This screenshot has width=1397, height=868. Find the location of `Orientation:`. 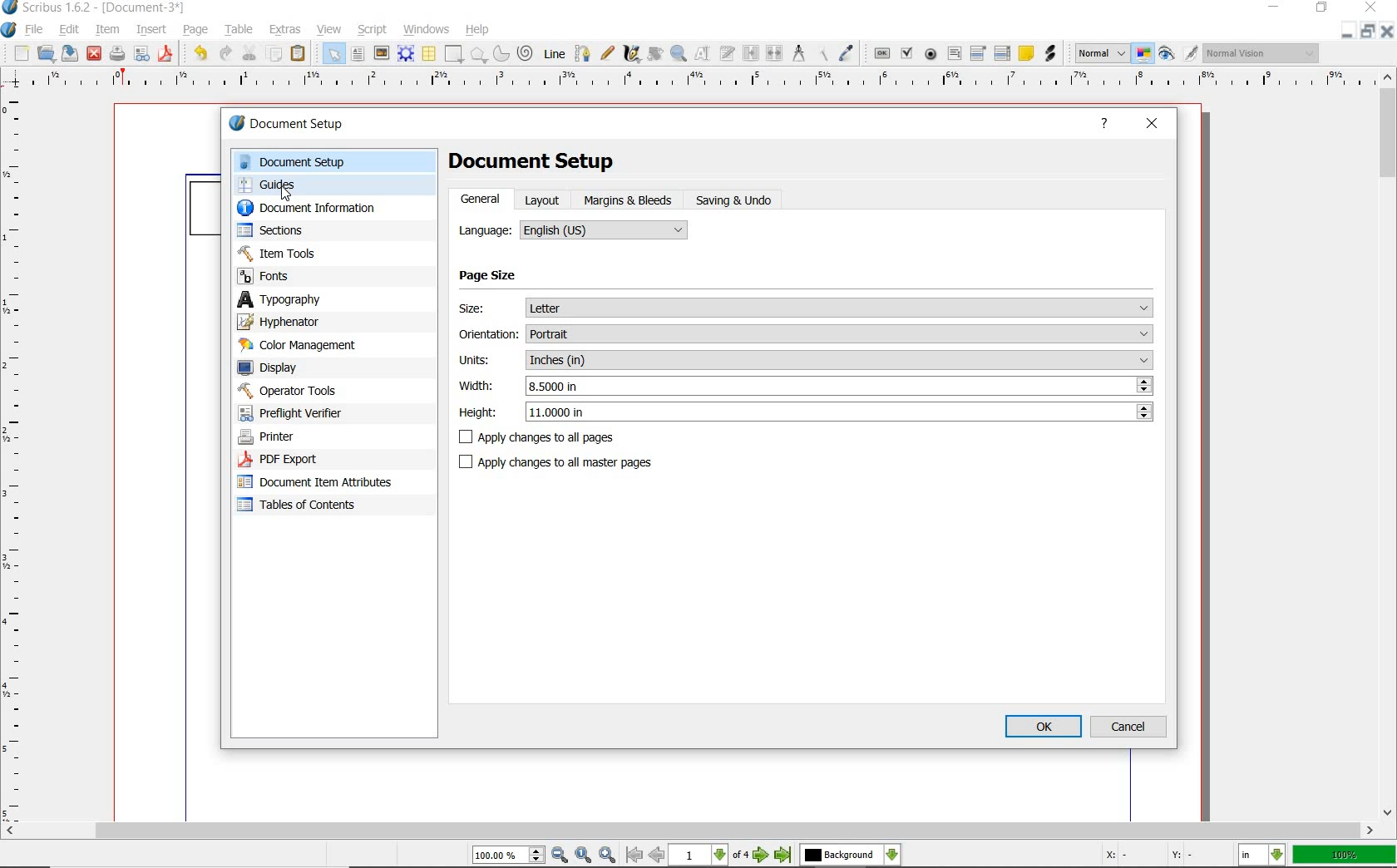

Orientation: is located at coordinates (487, 336).